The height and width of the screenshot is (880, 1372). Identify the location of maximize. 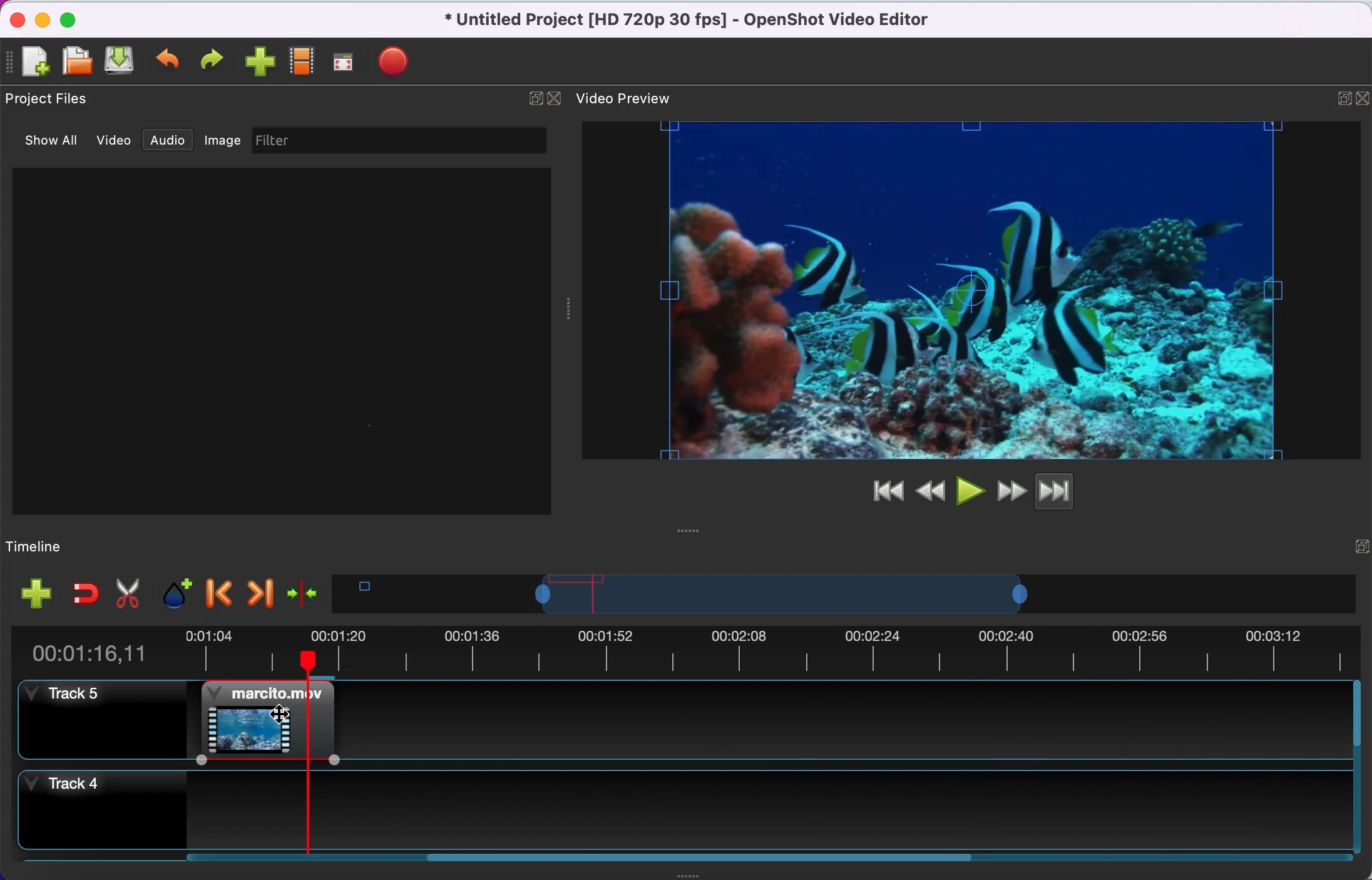
(76, 18).